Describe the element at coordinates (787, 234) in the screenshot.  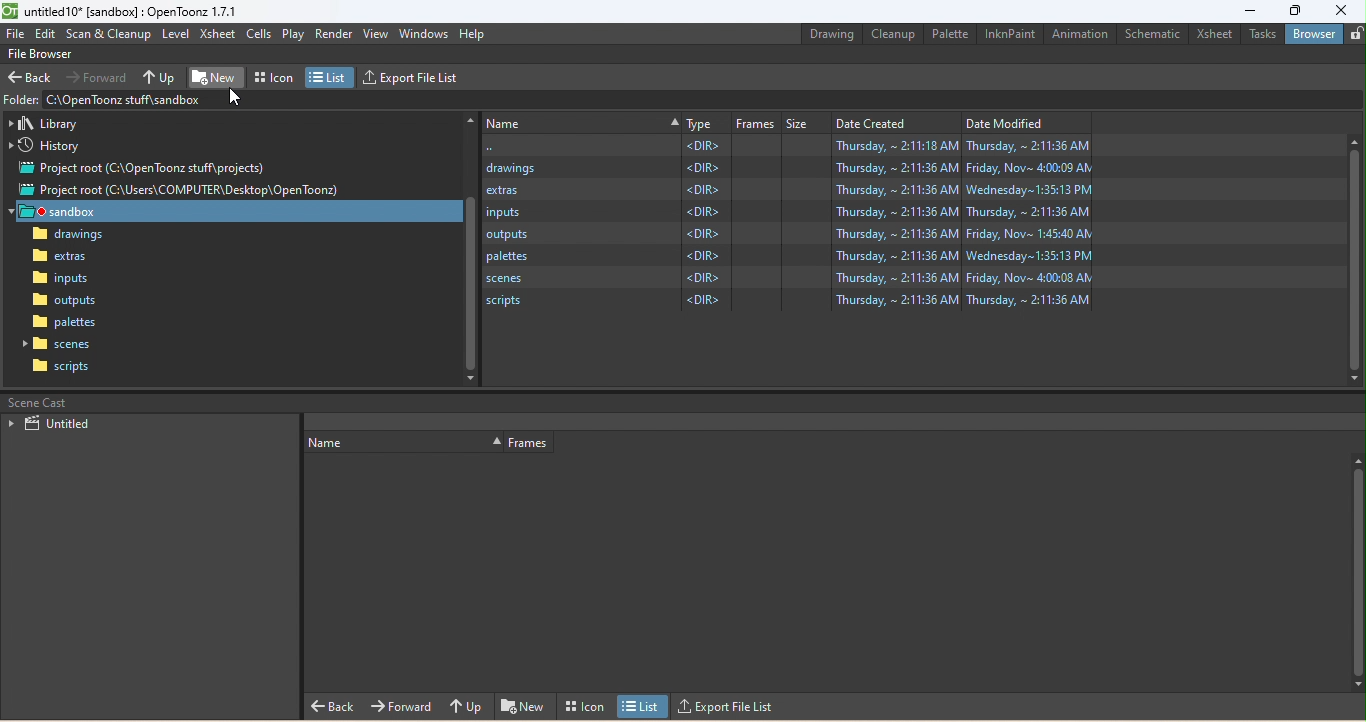
I see `outputs` at that location.